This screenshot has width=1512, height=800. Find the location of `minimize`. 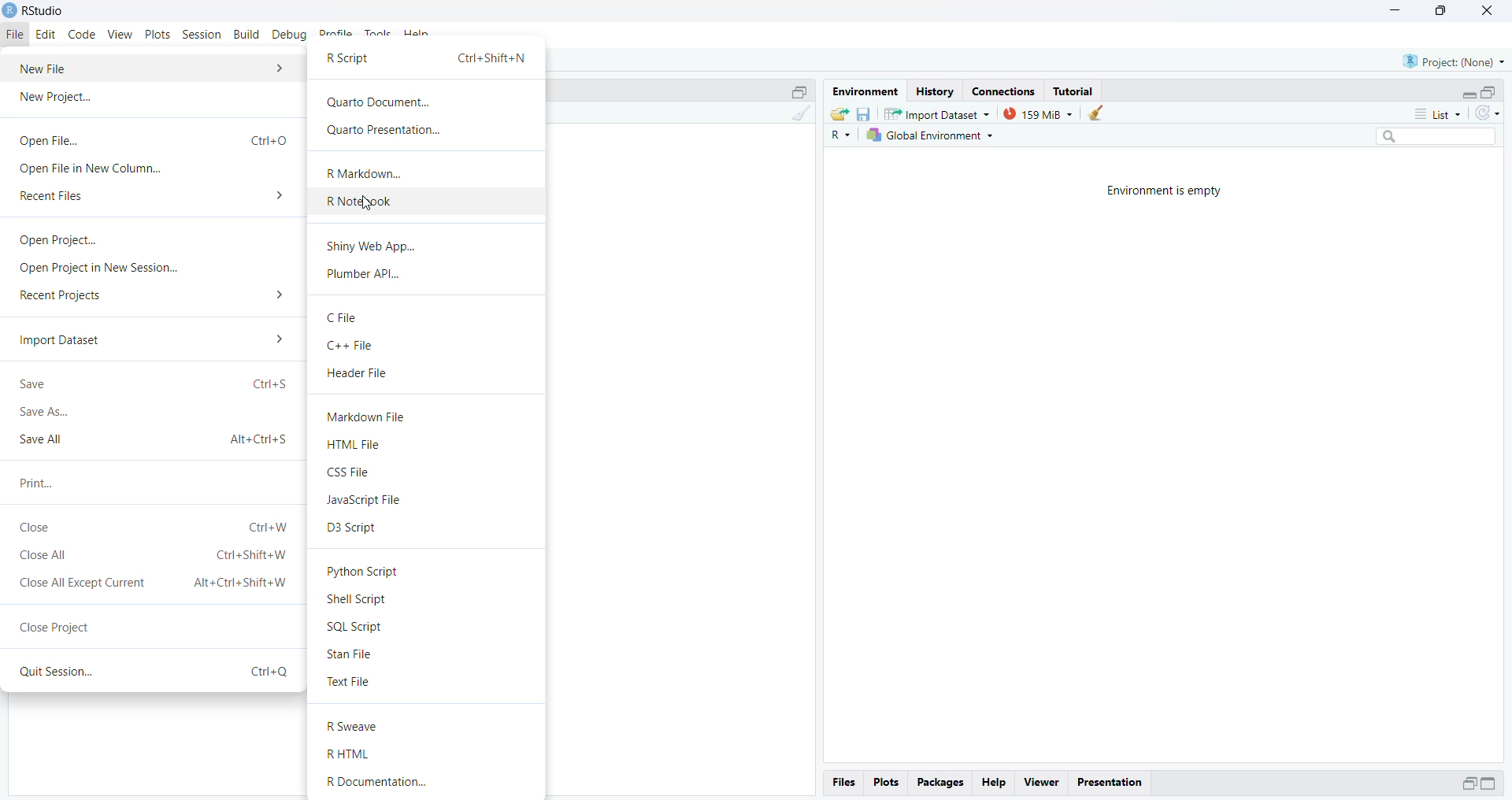

minimize is located at coordinates (1395, 12).